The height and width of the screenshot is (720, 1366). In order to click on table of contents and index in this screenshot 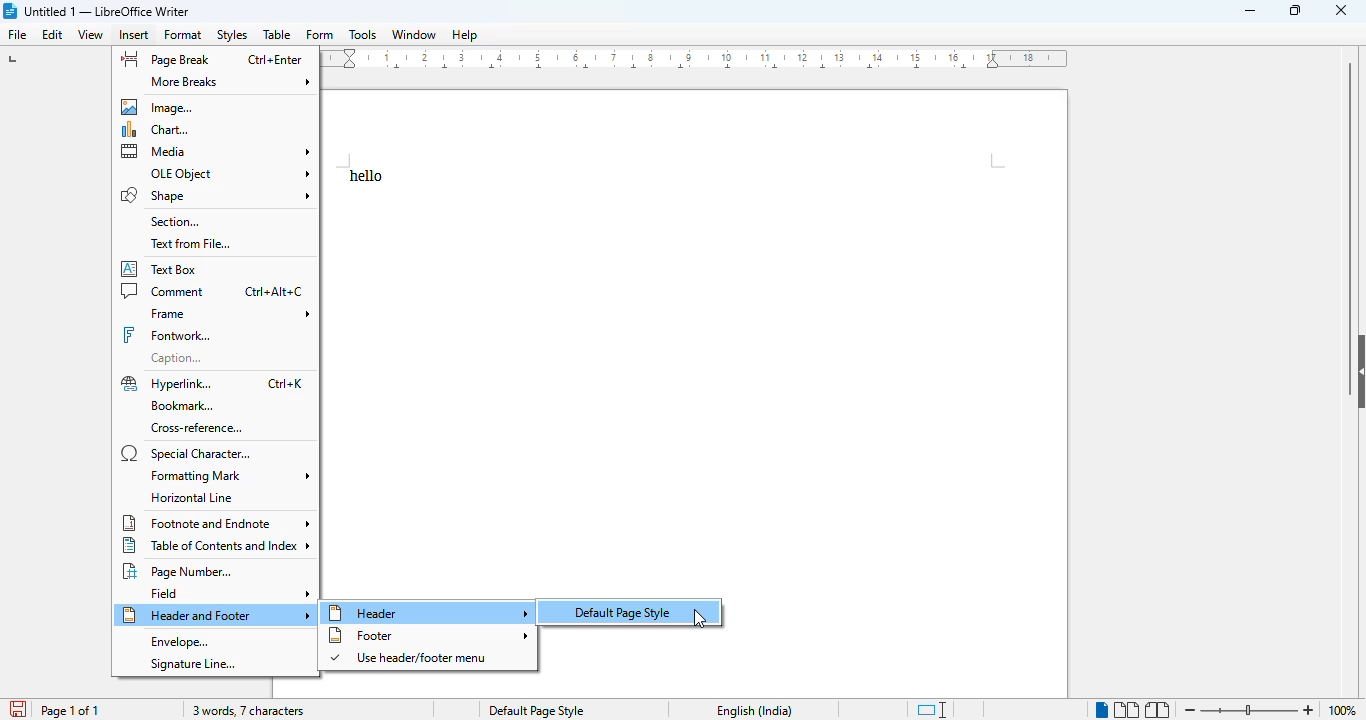, I will do `click(215, 546)`.